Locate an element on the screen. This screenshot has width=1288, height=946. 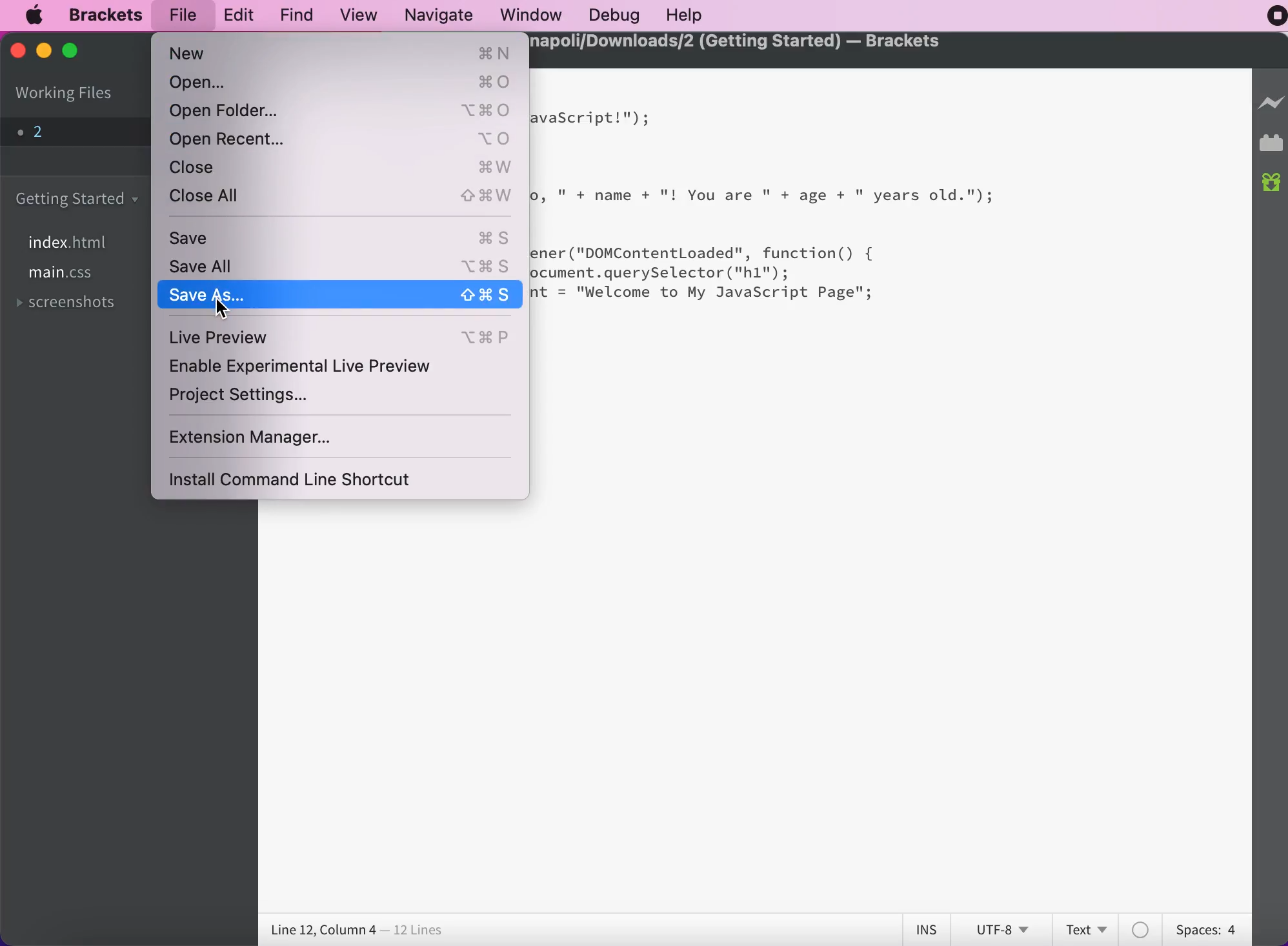
console.log("Hello, JavaScript!");let name = "John";let age = 30;function greet() {console.log("Hello, " + name + "! You are " + age + " years old.");}greet ();document.addEventListener ("DOMContentLoaded", function() {const heading = document.querySelector("h1");| heading textcontent = "Welcome to My JavaScript Page"; }); is located at coordinates (762, 216).